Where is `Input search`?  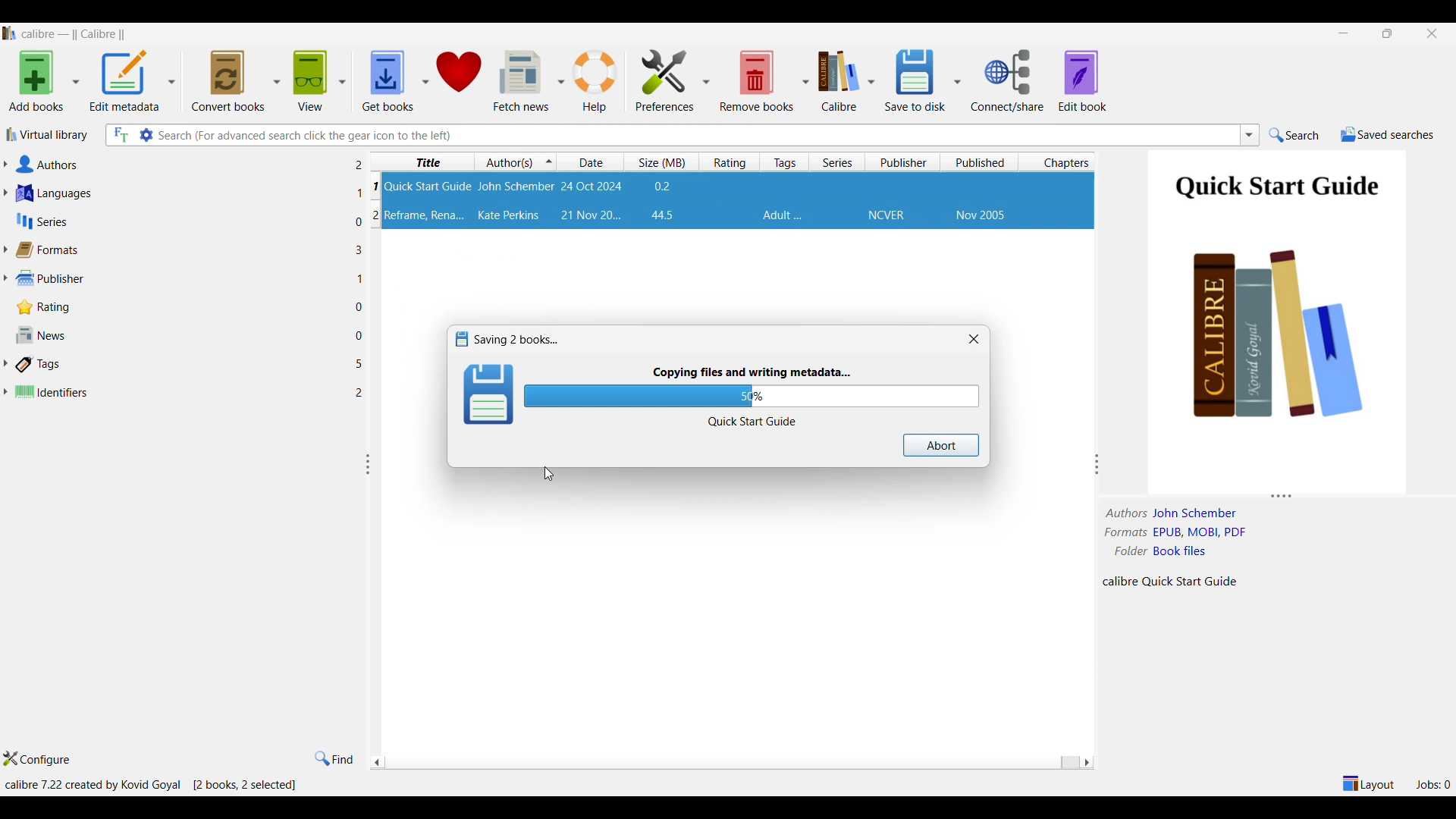 Input search is located at coordinates (696, 135).